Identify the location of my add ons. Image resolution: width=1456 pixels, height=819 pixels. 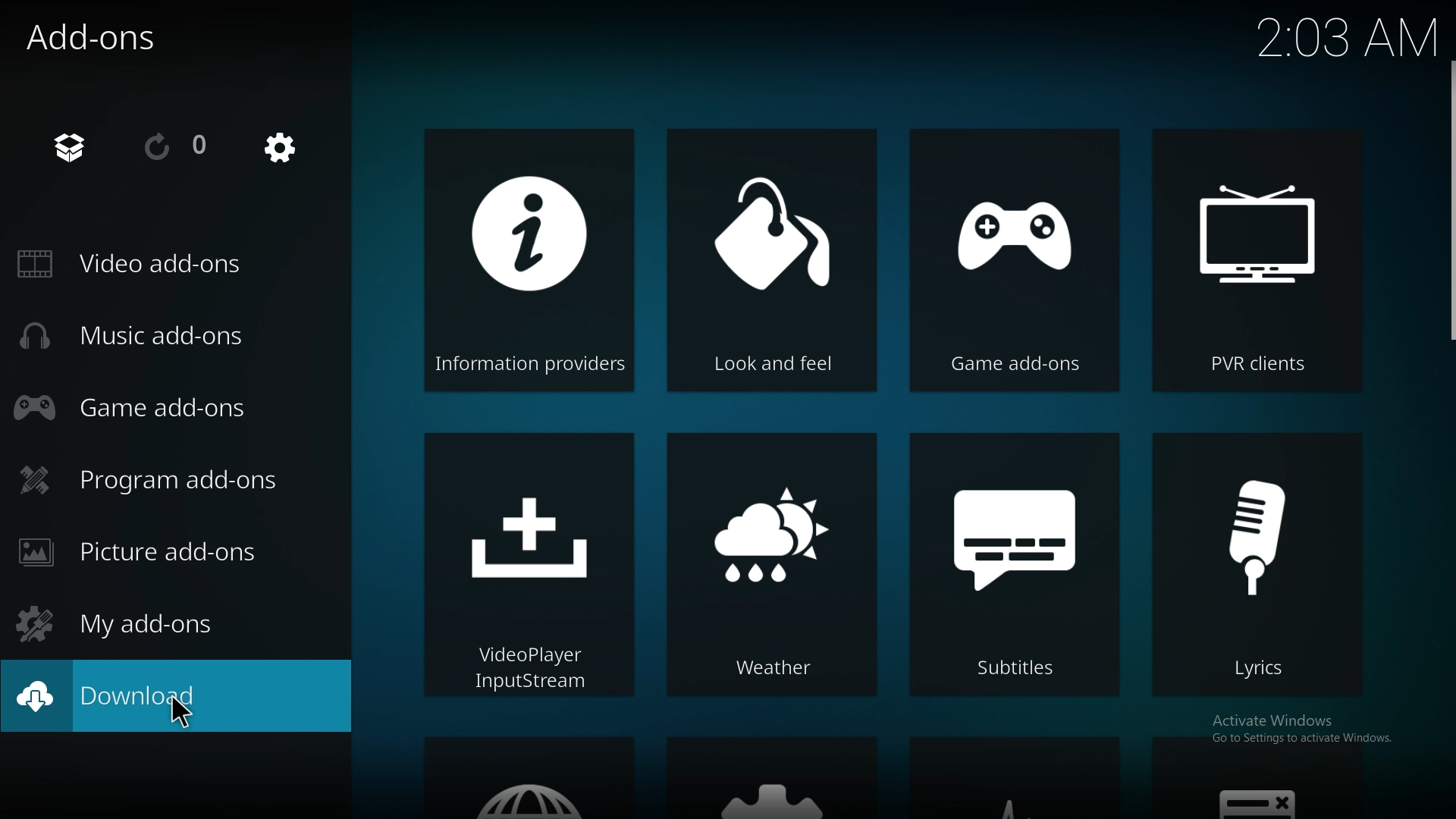
(133, 621).